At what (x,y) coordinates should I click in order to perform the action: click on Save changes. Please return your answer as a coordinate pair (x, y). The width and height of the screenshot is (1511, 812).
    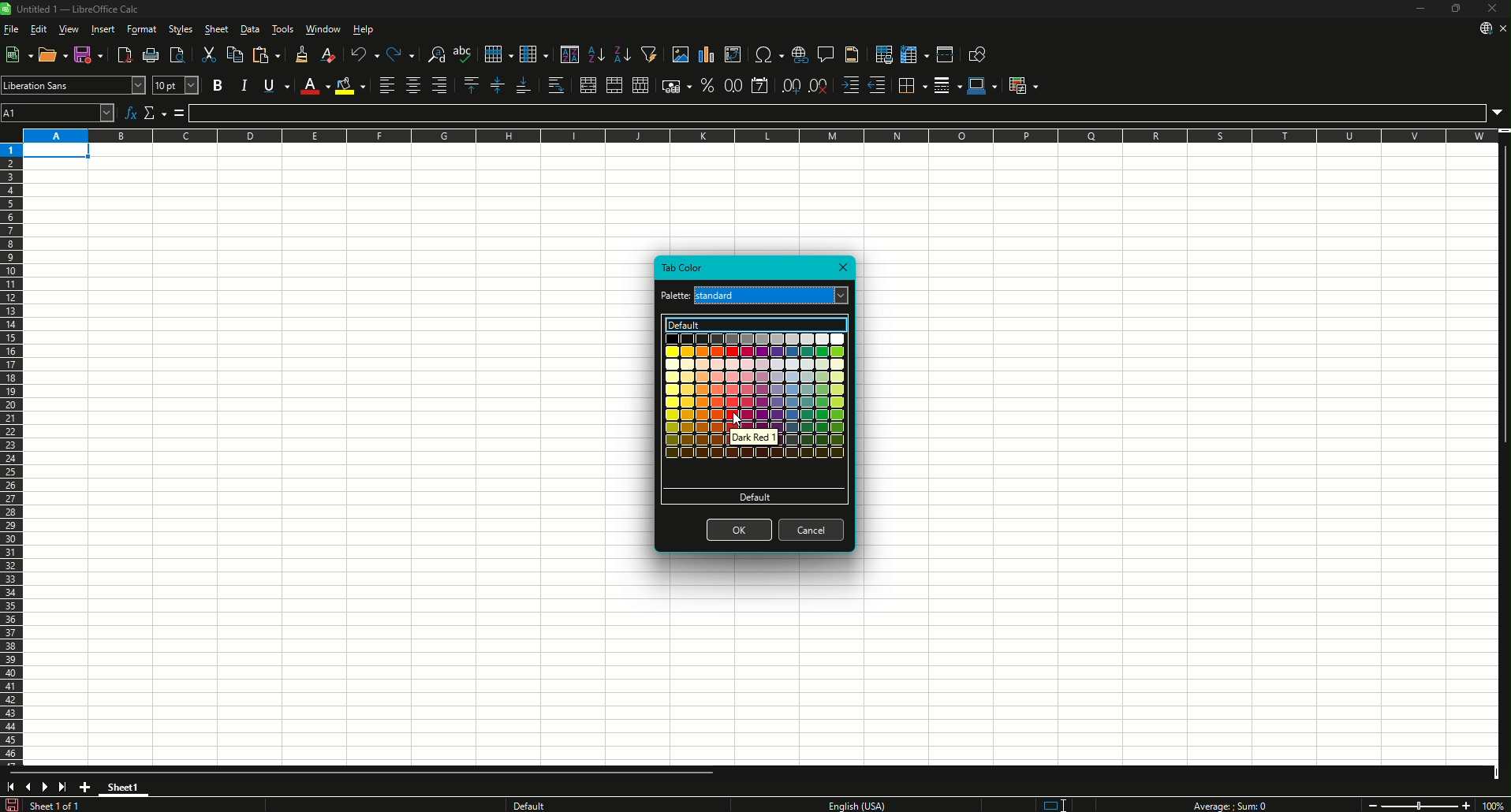
    Looking at the image, I should click on (12, 804).